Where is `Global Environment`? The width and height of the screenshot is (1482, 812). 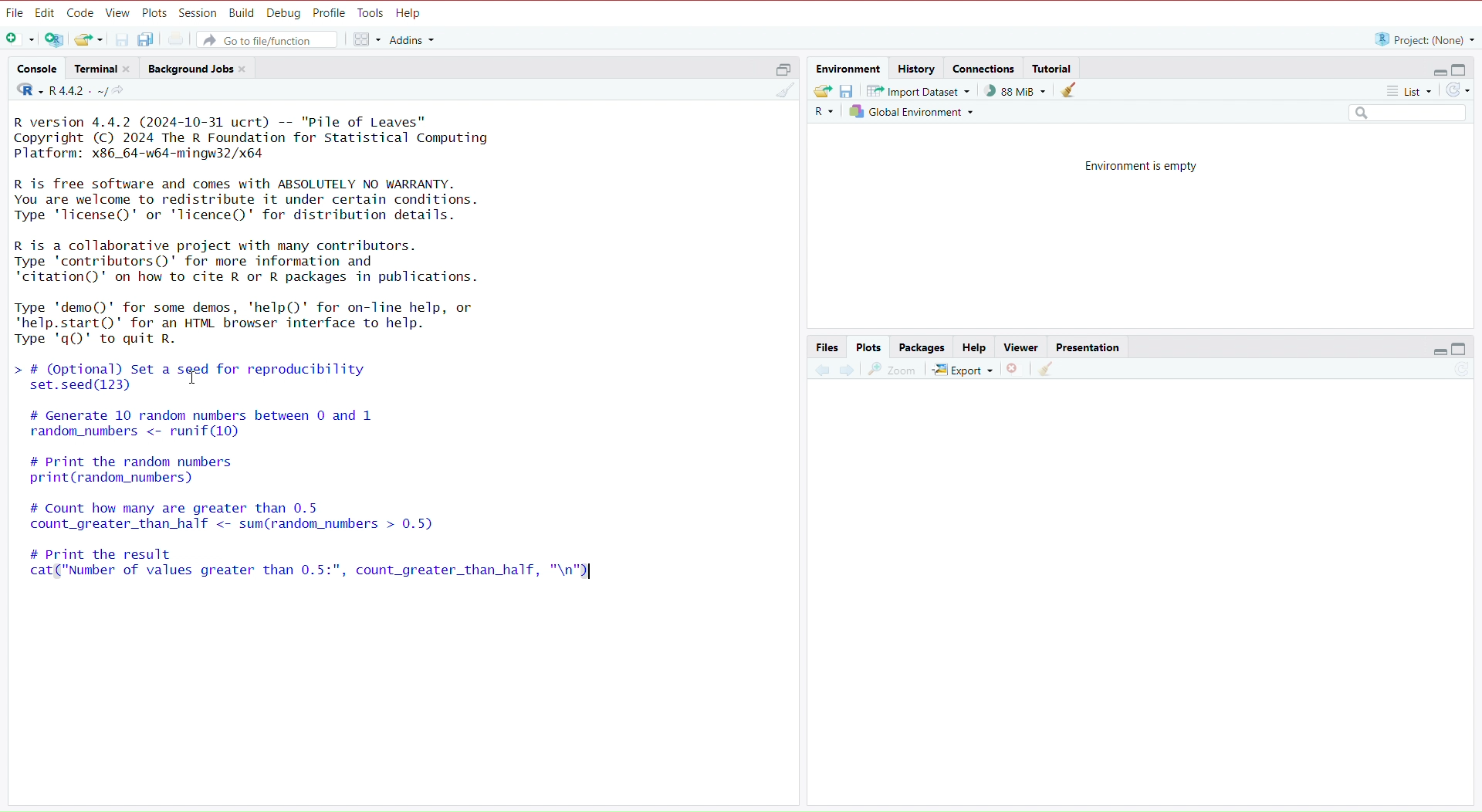
Global Environment is located at coordinates (909, 110).